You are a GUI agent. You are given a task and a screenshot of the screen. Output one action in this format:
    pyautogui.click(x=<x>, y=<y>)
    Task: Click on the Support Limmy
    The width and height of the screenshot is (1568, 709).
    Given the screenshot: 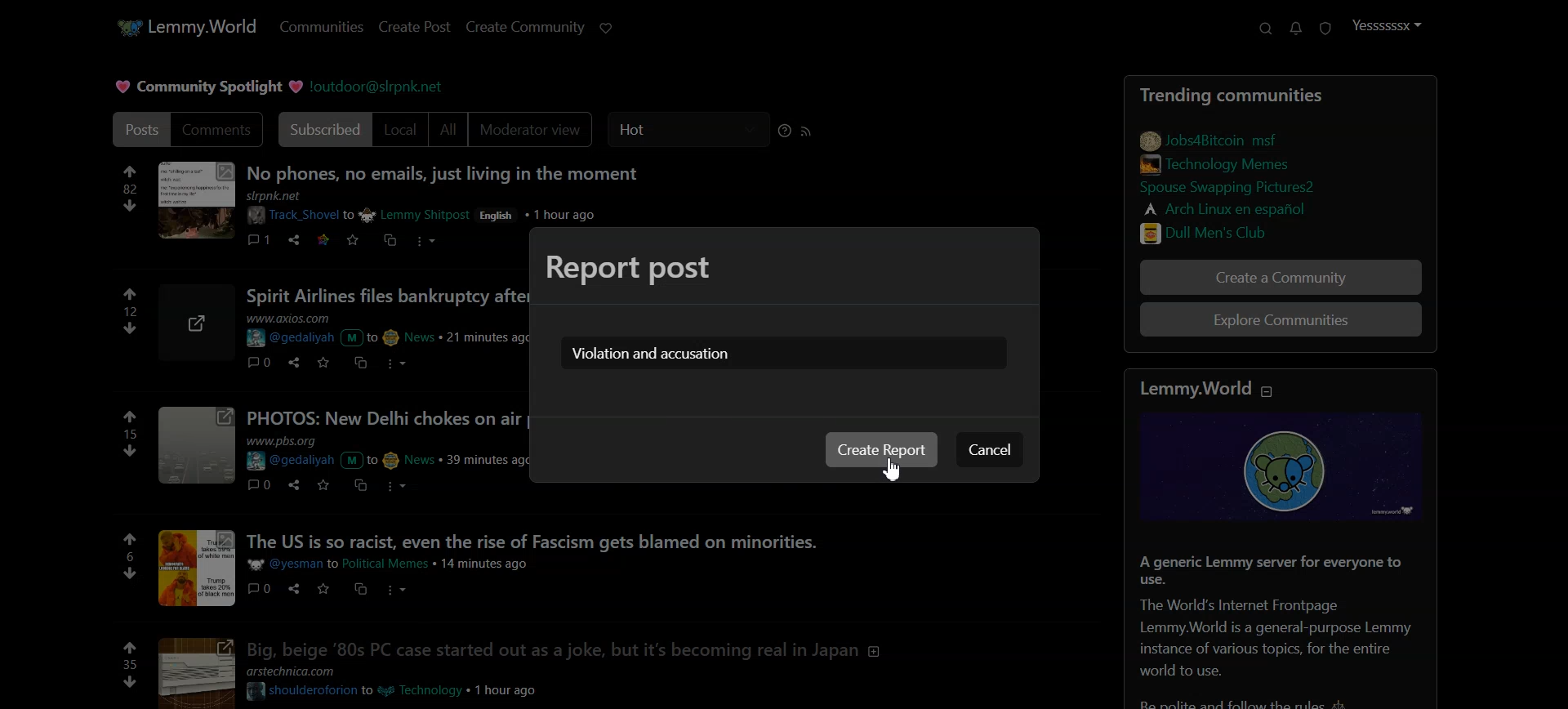 What is the action you would take?
    pyautogui.click(x=607, y=28)
    